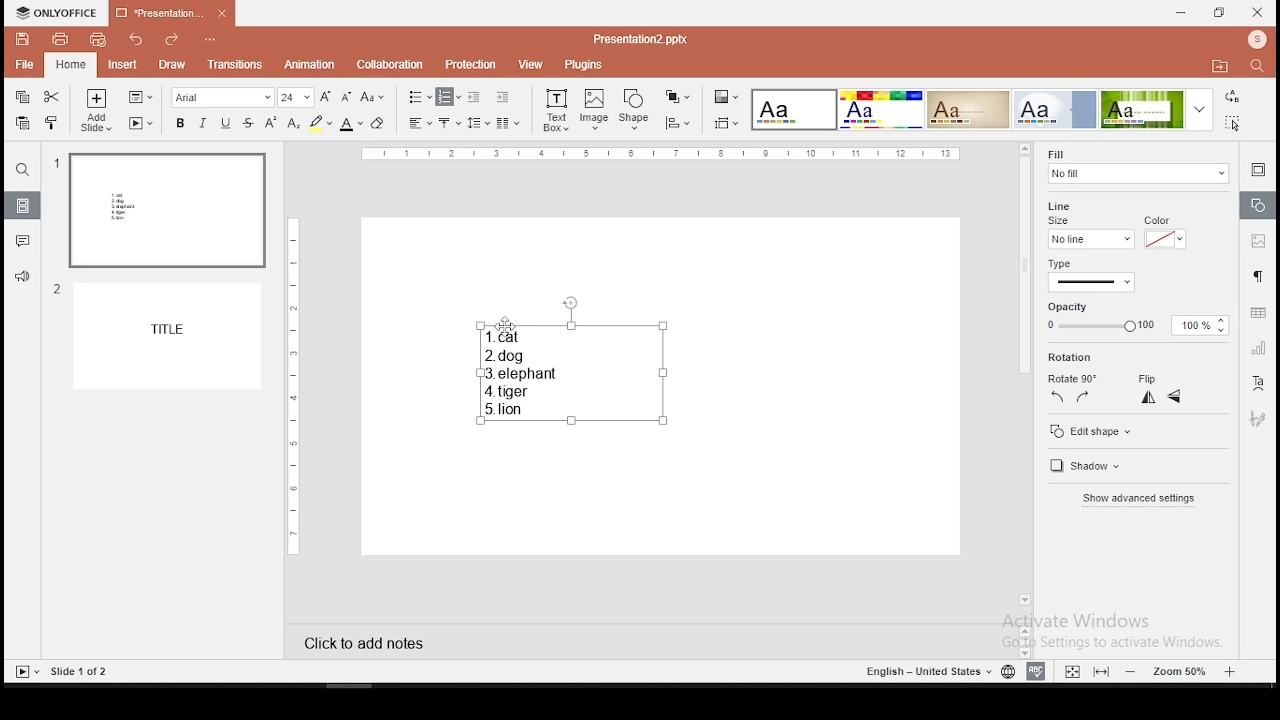 This screenshot has width=1280, height=720. Describe the element at coordinates (1059, 398) in the screenshot. I see `rotate 90 counterclockwise` at that location.